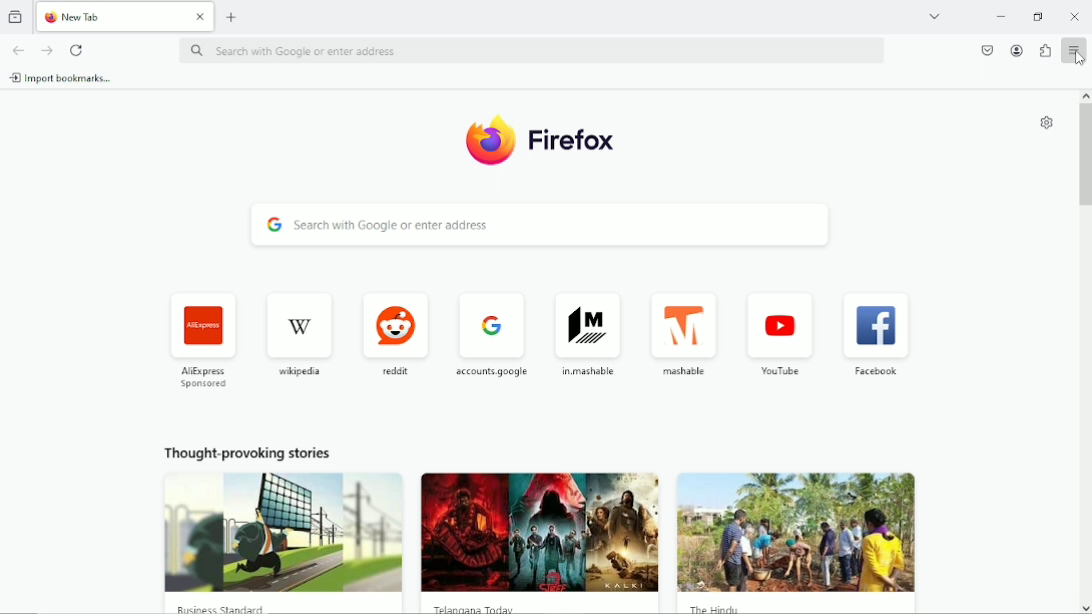  Describe the element at coordinates (62, 78) in the screenshot. I see `import bookmarks` at that location.